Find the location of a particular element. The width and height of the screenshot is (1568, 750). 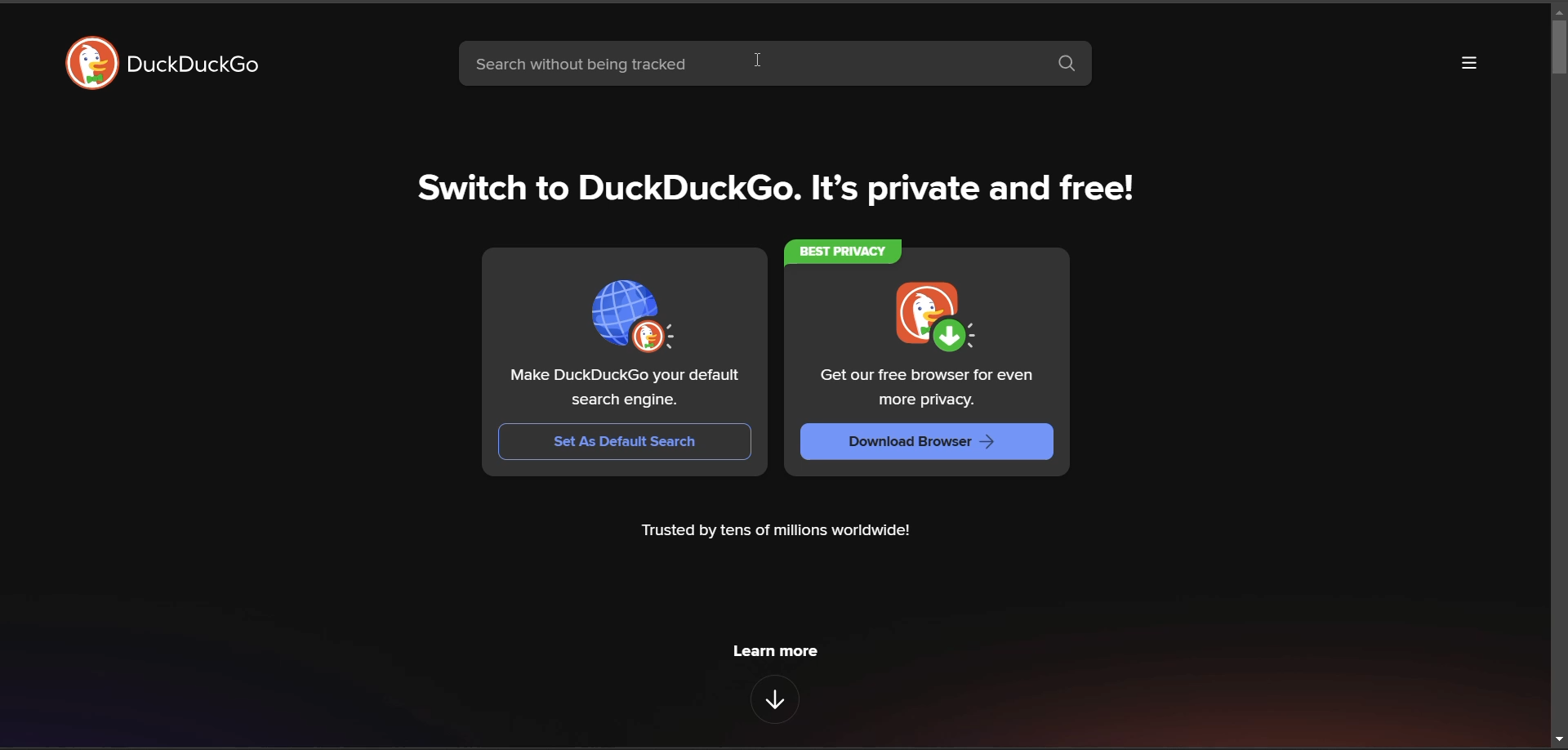

DuckDuckGo is located at coordinates (202, 67).